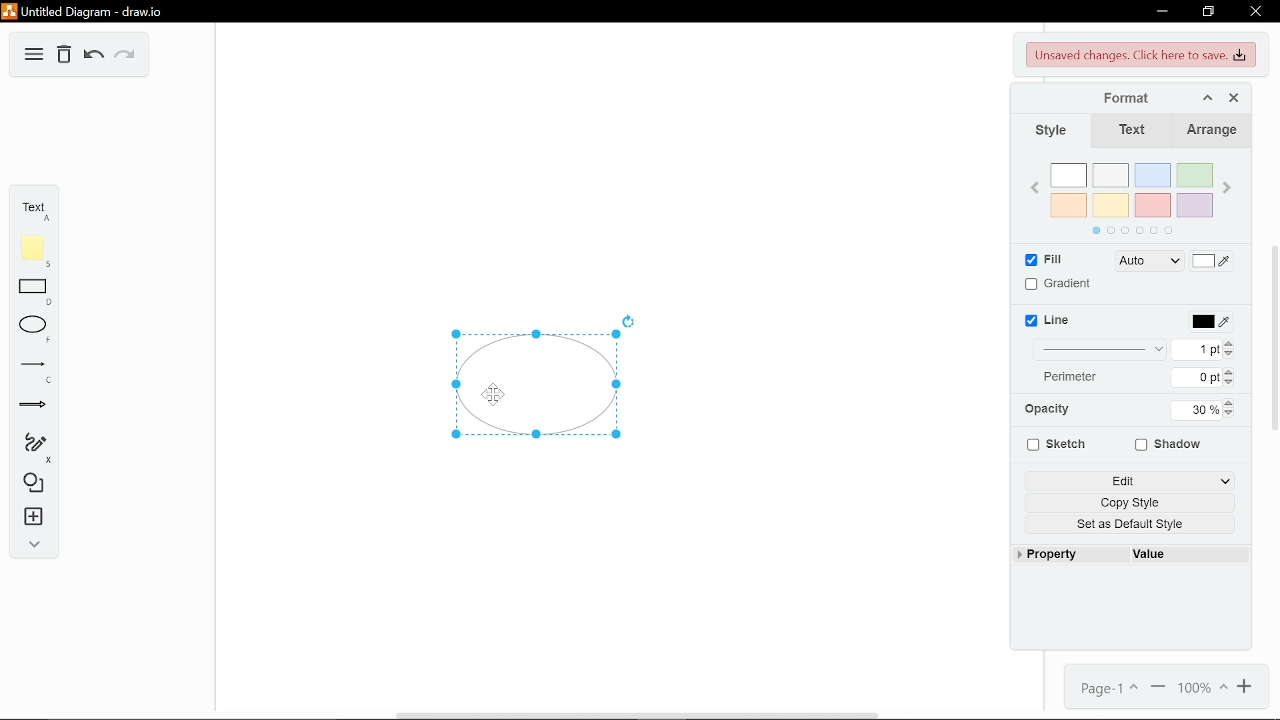  Describe the element at coordinates (1210, 322) in the screenshot. I see `Line color` at that location.